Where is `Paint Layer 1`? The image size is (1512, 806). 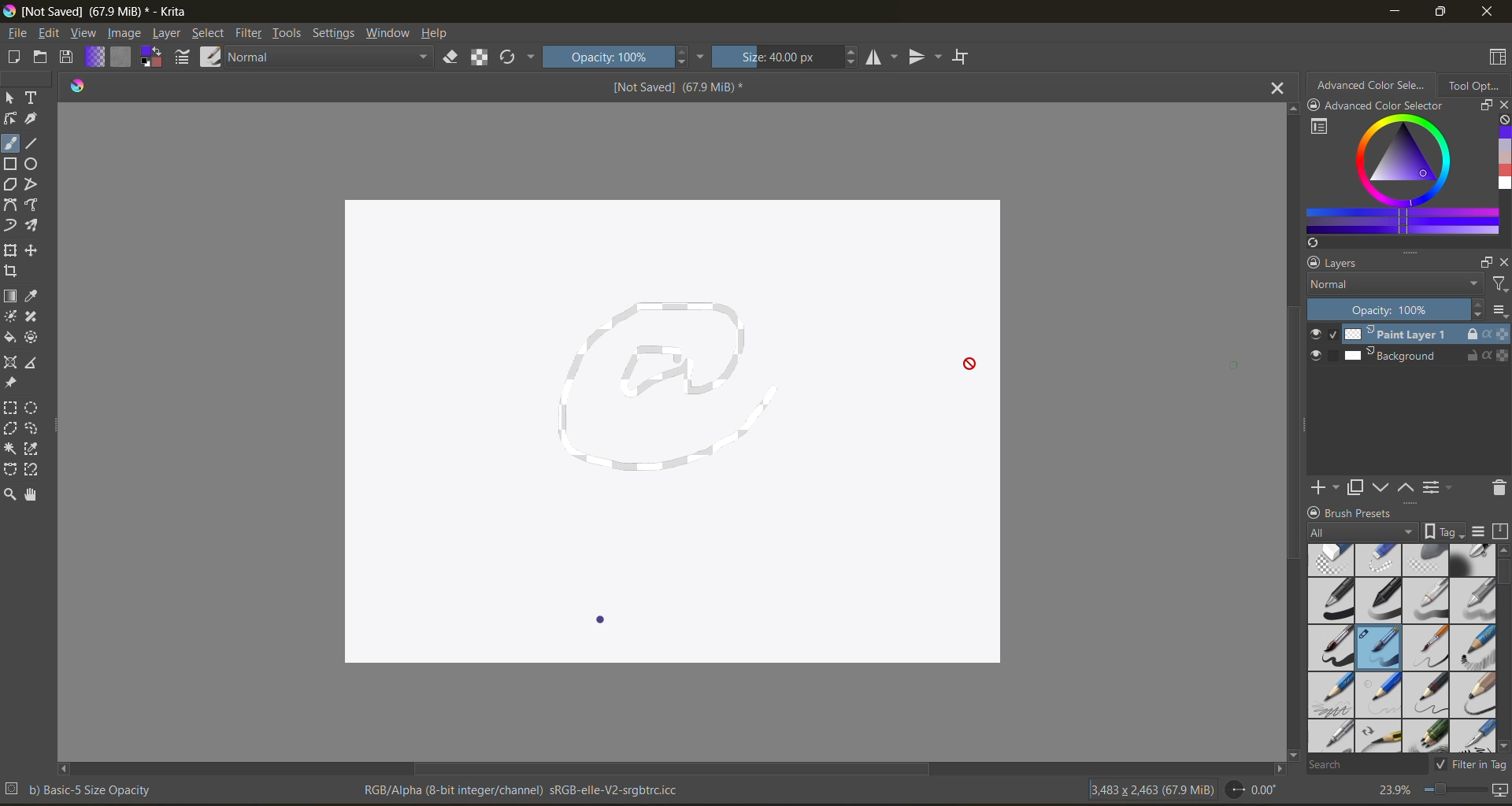
Paint Layer 1 is located at coordinates (1428, 334).